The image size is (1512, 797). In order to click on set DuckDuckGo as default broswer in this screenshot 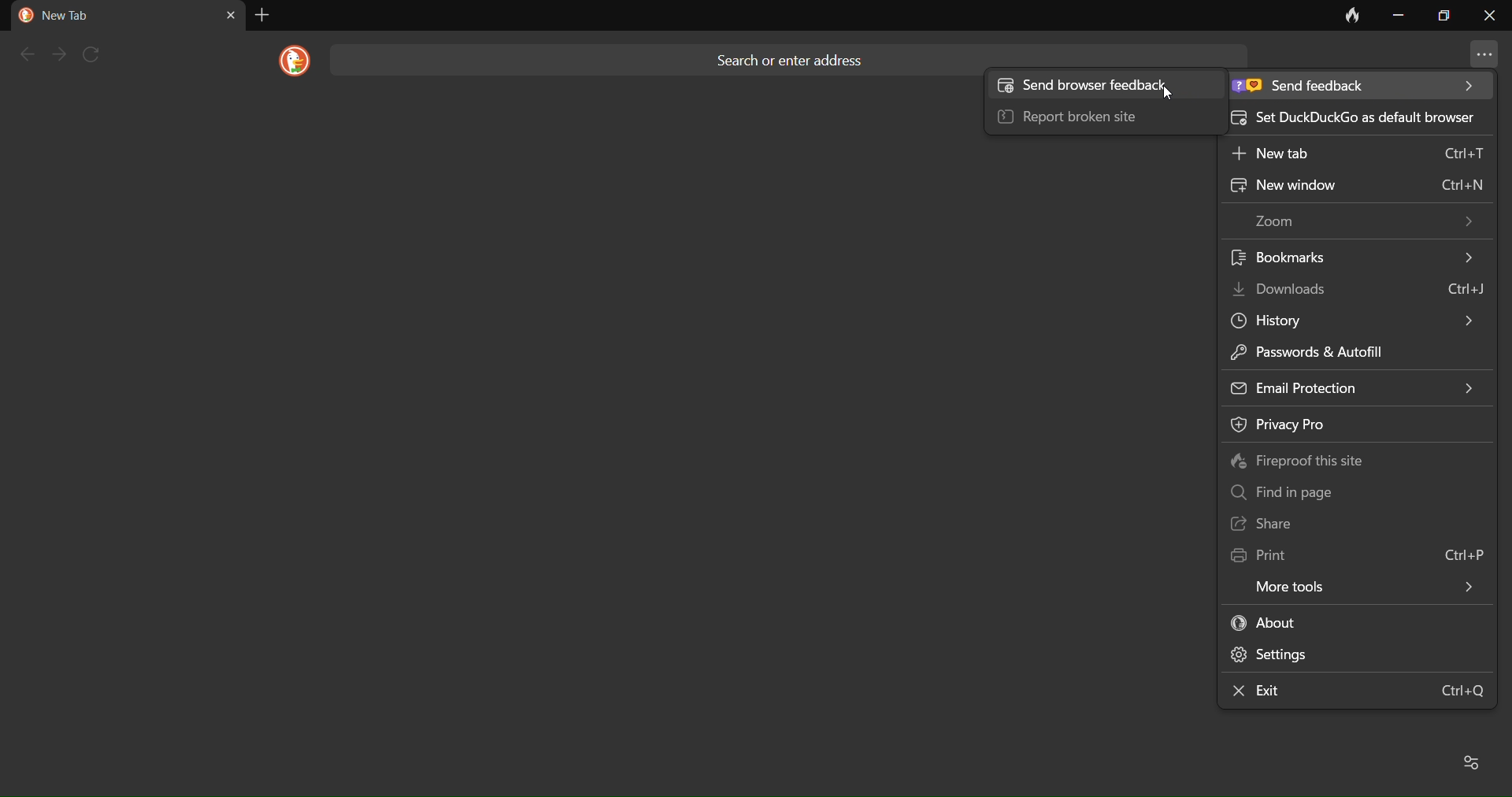, I will do `click(1358, 117)`.